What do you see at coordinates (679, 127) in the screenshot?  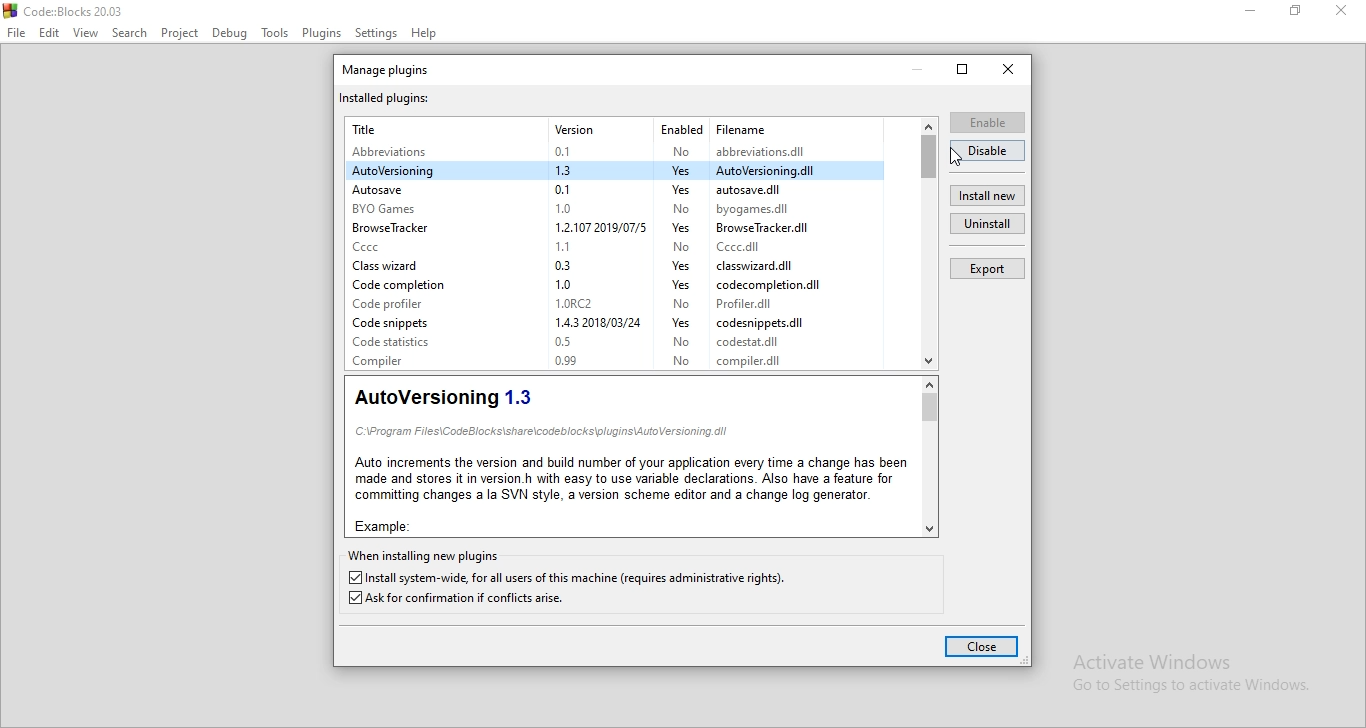 I see `Enabled` at bounding box center [679, 127].